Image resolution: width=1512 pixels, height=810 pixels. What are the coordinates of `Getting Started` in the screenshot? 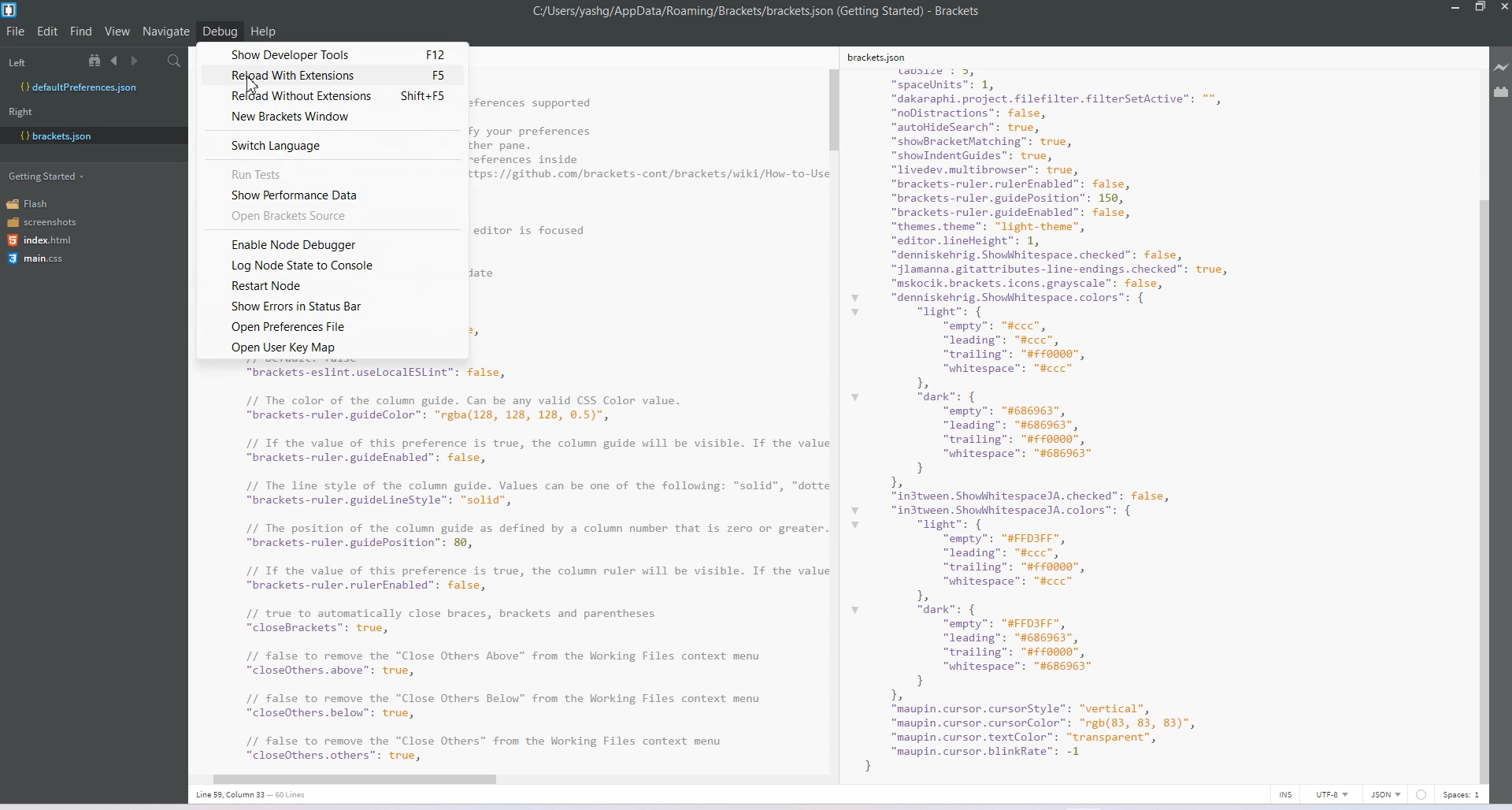 It's located at (48, 175).